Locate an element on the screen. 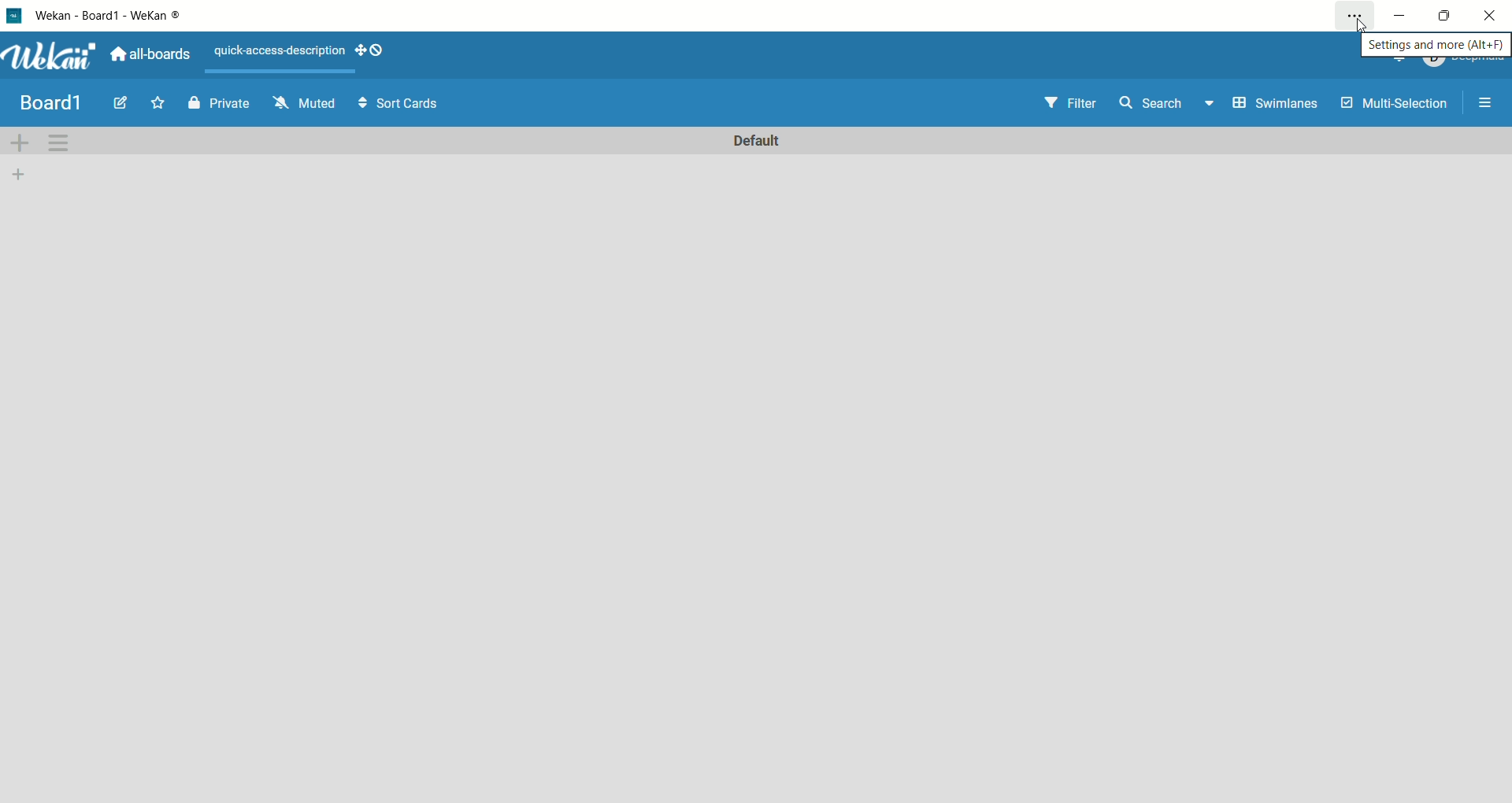  title is located at coordinates (50, 102).